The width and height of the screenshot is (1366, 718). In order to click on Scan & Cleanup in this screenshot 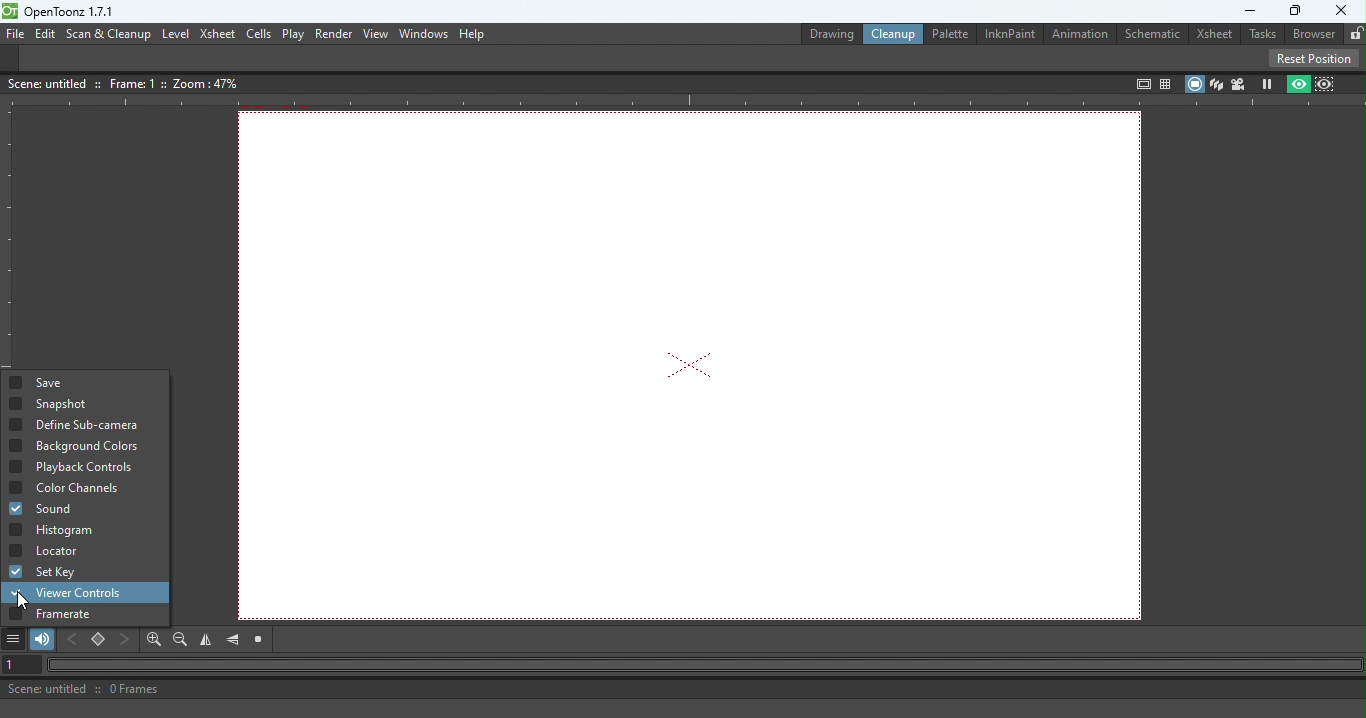, I will do `click(109, 35)`.